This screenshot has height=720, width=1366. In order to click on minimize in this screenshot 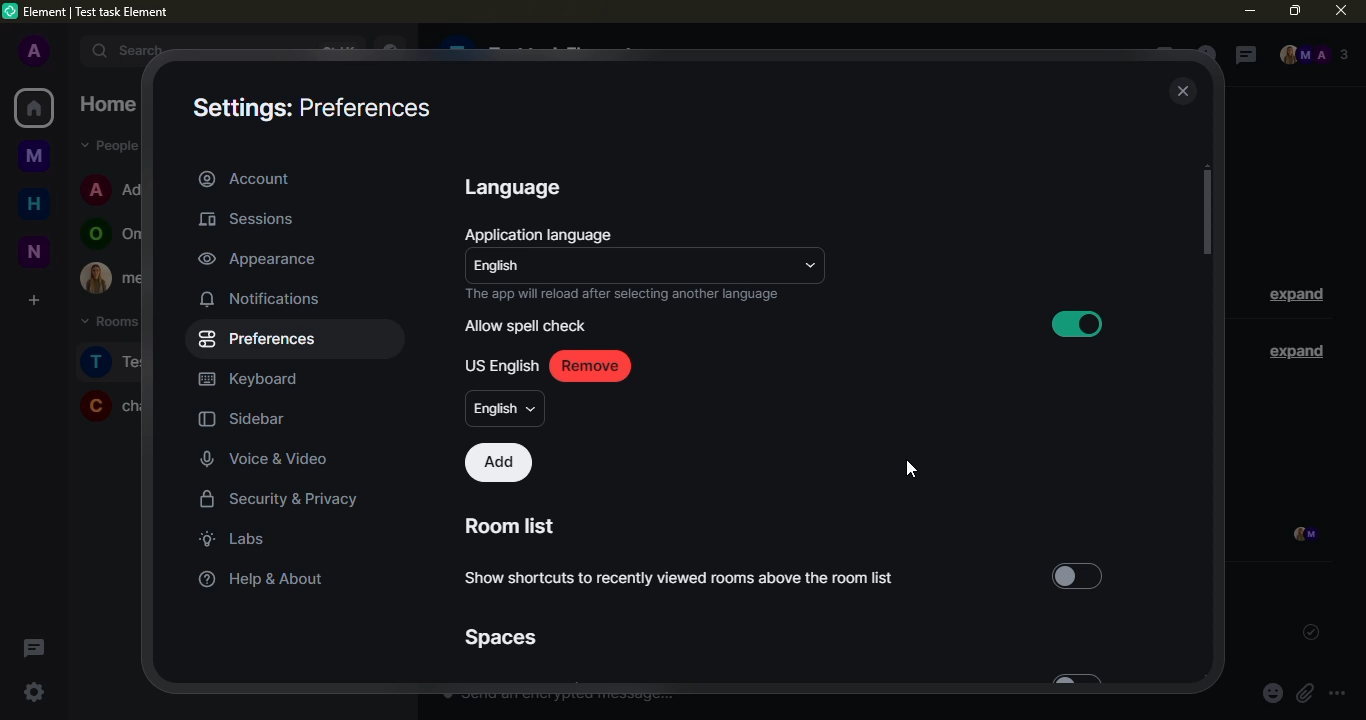, I will do `click(1249, 11)`.